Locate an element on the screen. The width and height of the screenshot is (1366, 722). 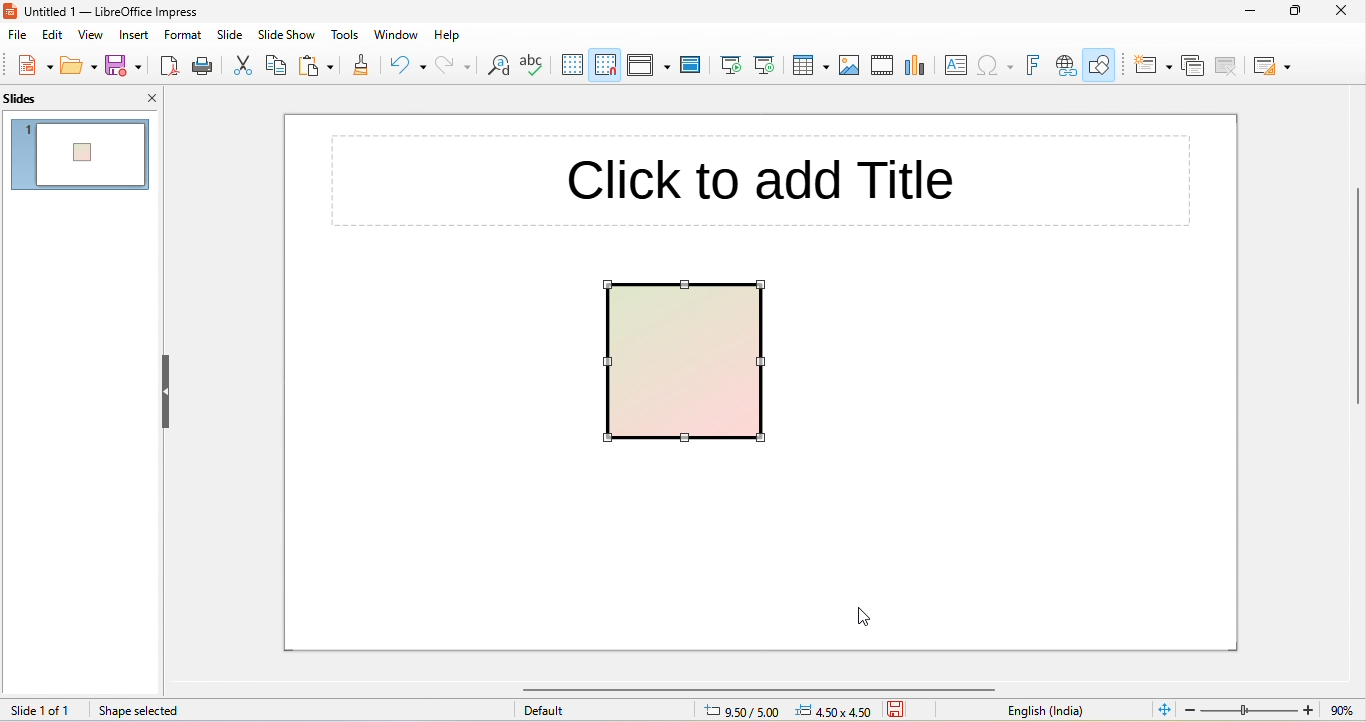
open is located at coordinates (79, 63).